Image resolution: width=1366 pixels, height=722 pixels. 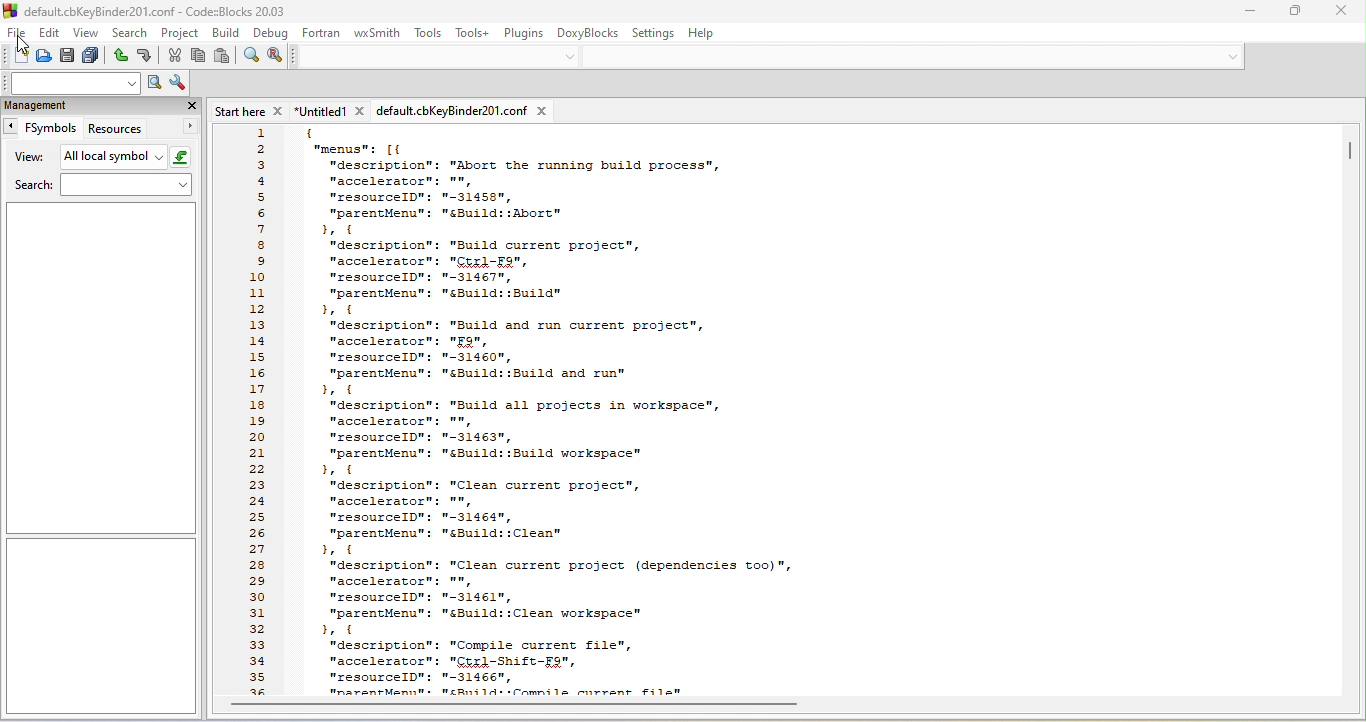 What do you see at coordinates (1233, 57) in the screenshot?
I see `down` at bounding box center [1233, 57].